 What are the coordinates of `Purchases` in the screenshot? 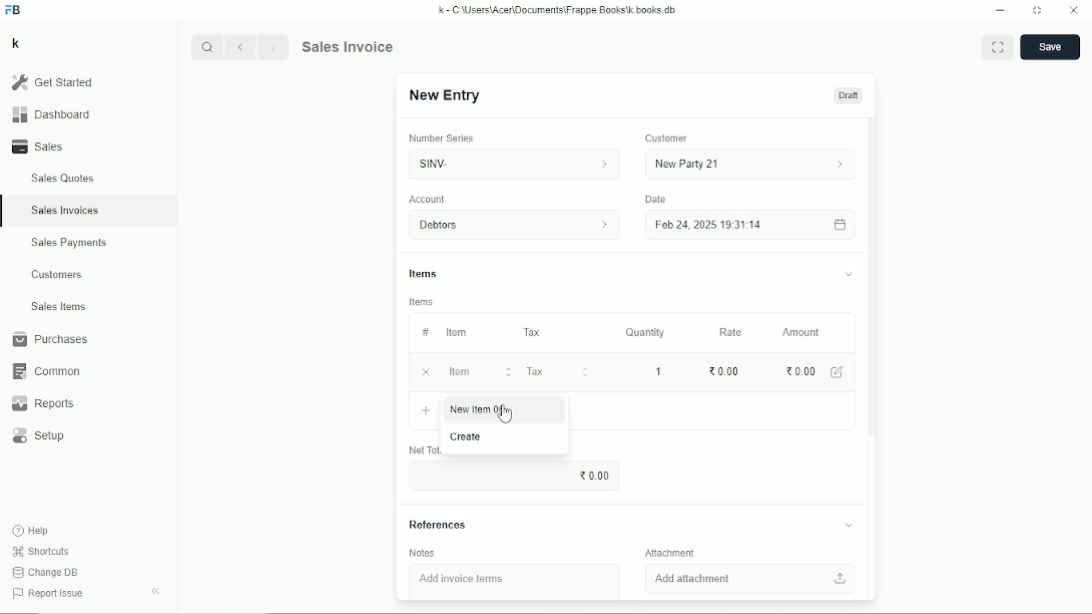 It's located at (49, 339).